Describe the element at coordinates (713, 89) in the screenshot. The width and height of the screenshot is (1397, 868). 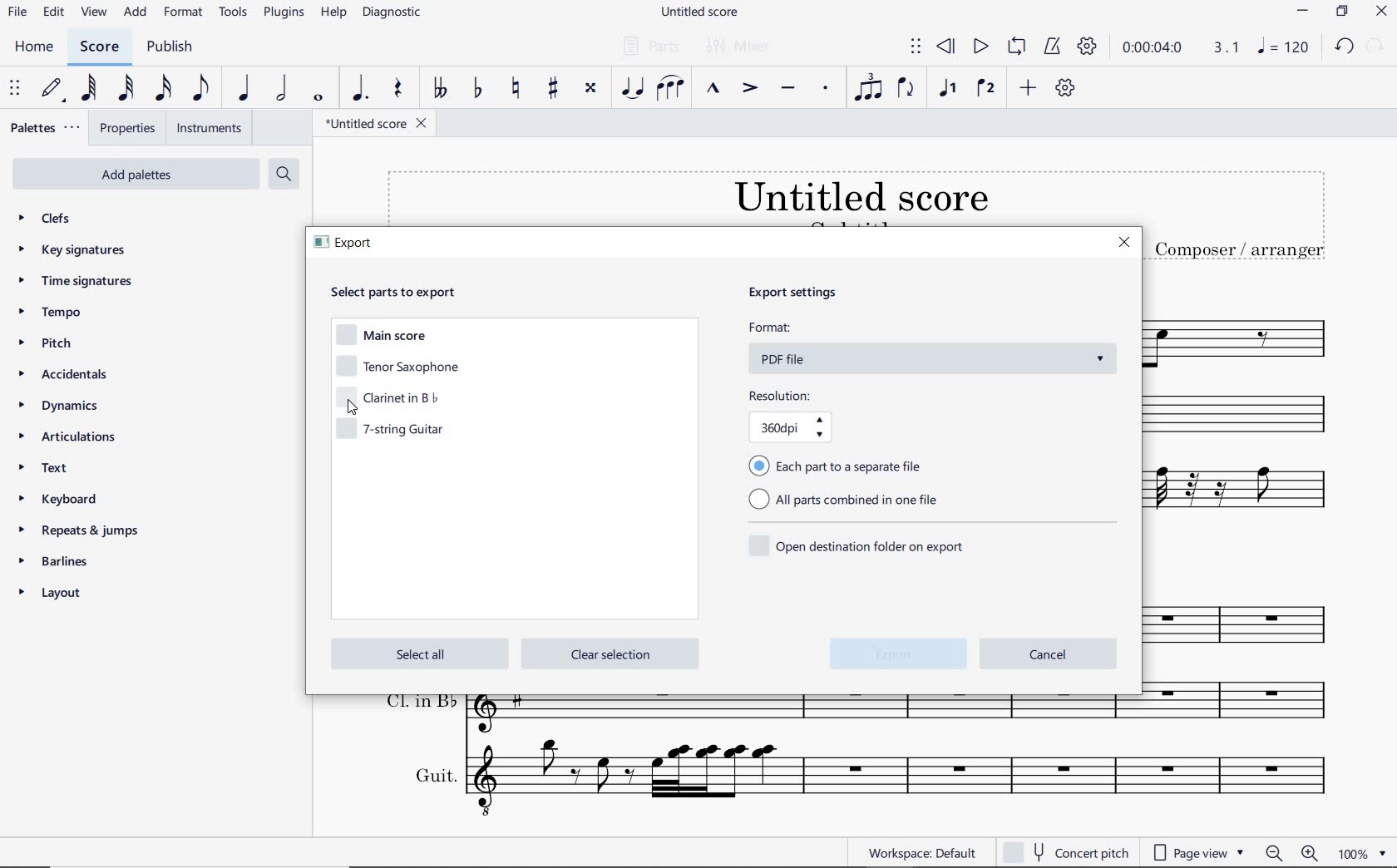
I see `MARCATO` at that location.